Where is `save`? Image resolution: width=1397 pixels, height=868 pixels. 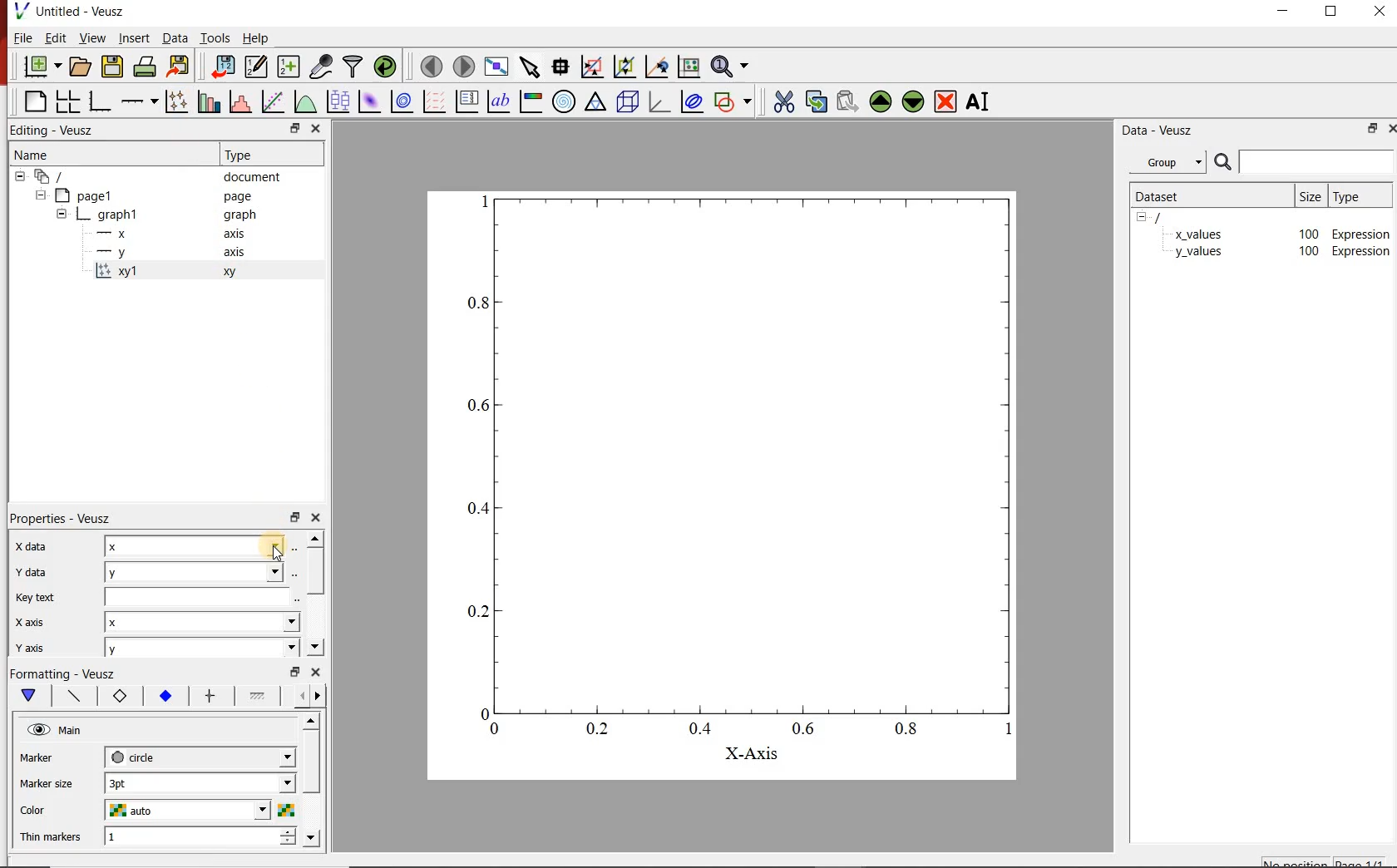
save is located at coordinates (113, 66).